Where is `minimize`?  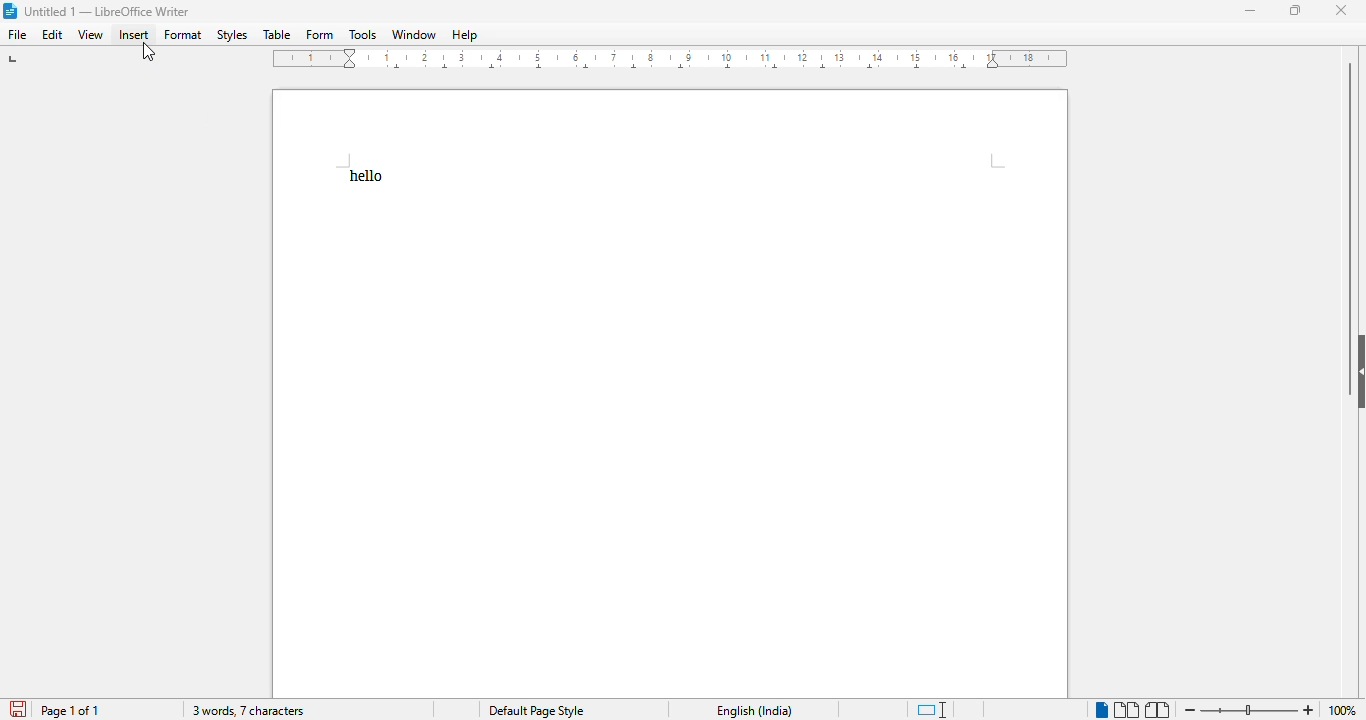
minimize is located at coordinates (1249, 11).